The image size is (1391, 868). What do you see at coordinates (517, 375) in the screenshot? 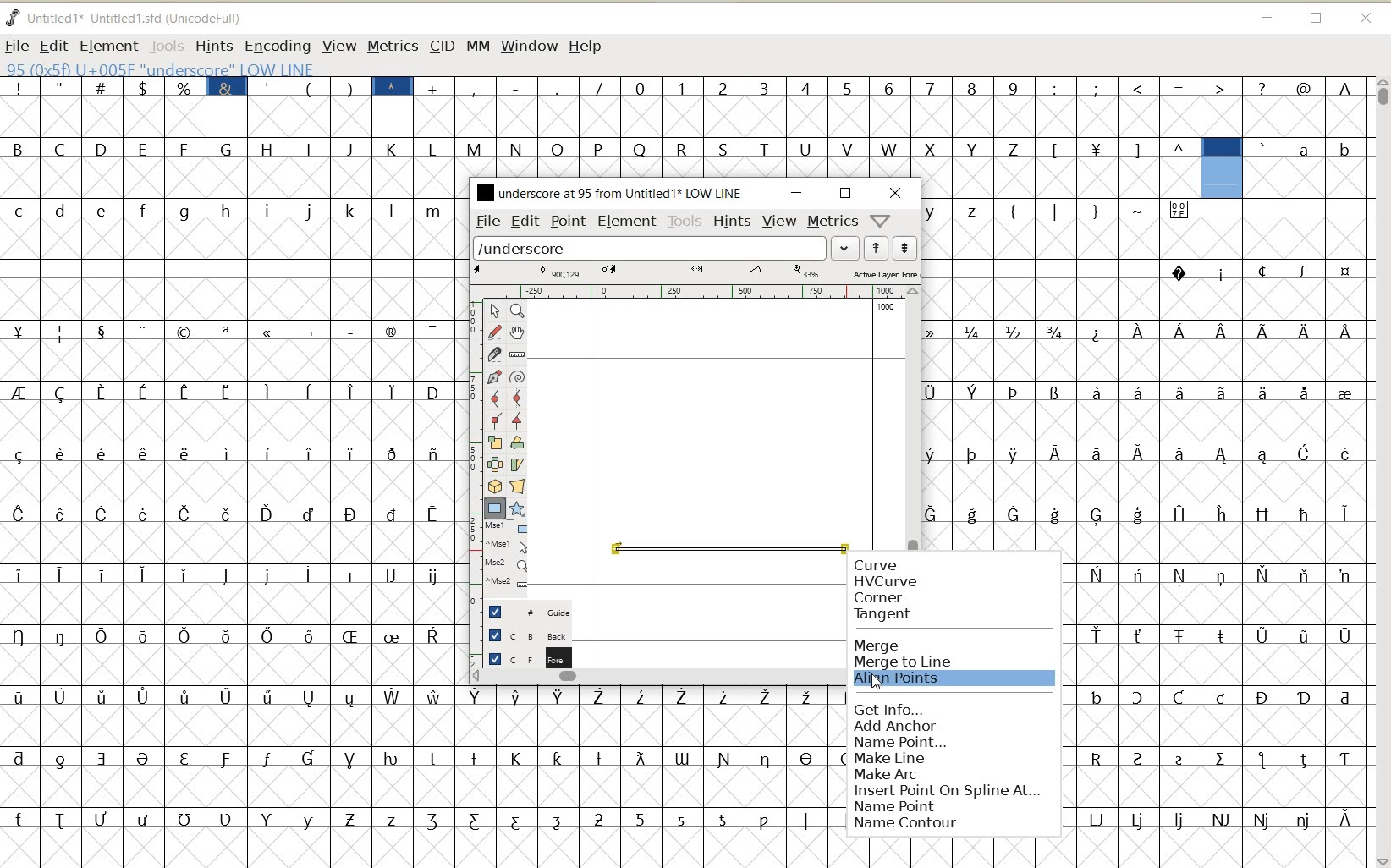
I see `change whether spiro is active or not` at bounding box center [517, 375].